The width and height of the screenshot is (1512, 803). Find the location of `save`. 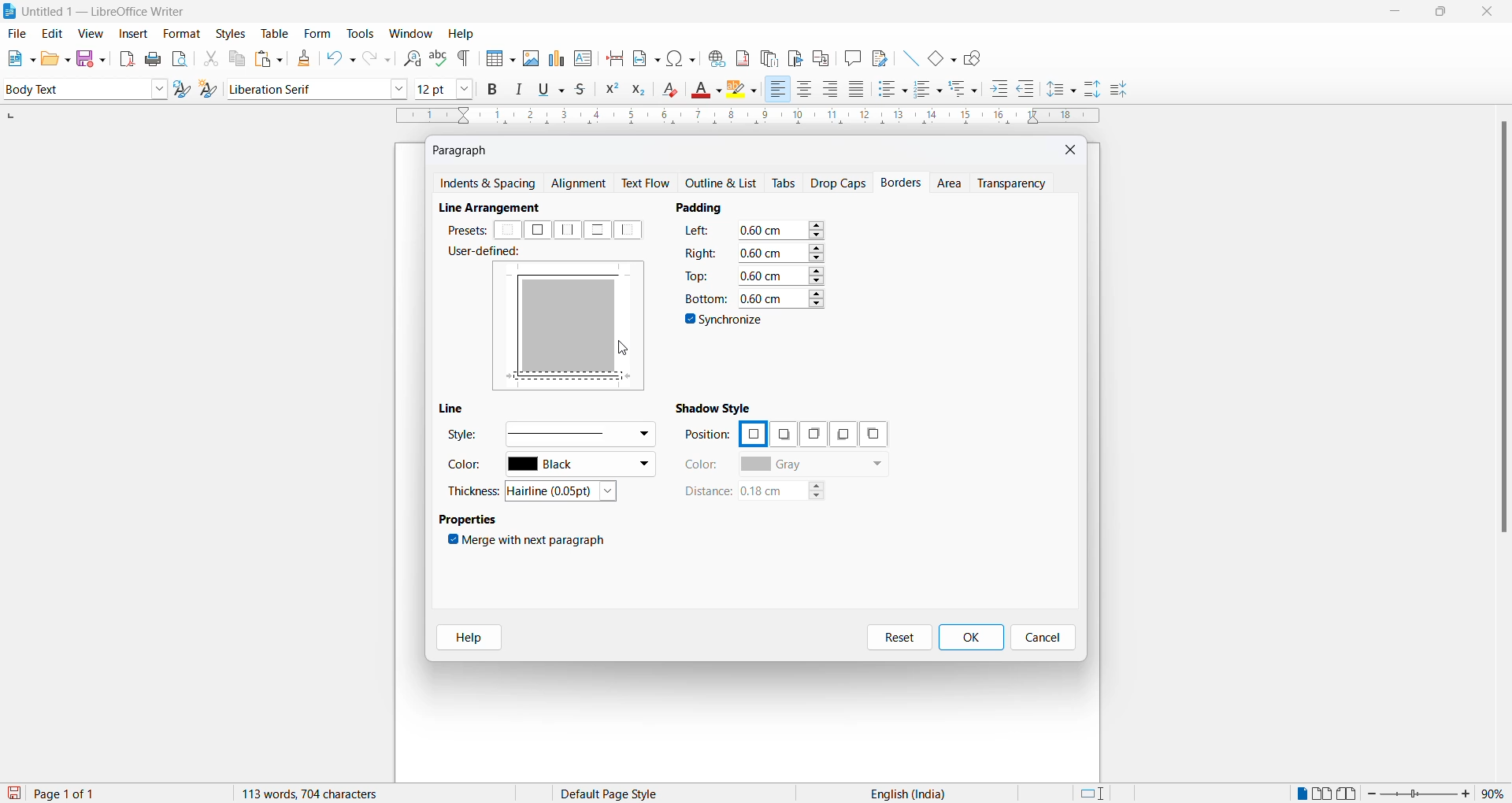

save is located at coordinates (15, 794).